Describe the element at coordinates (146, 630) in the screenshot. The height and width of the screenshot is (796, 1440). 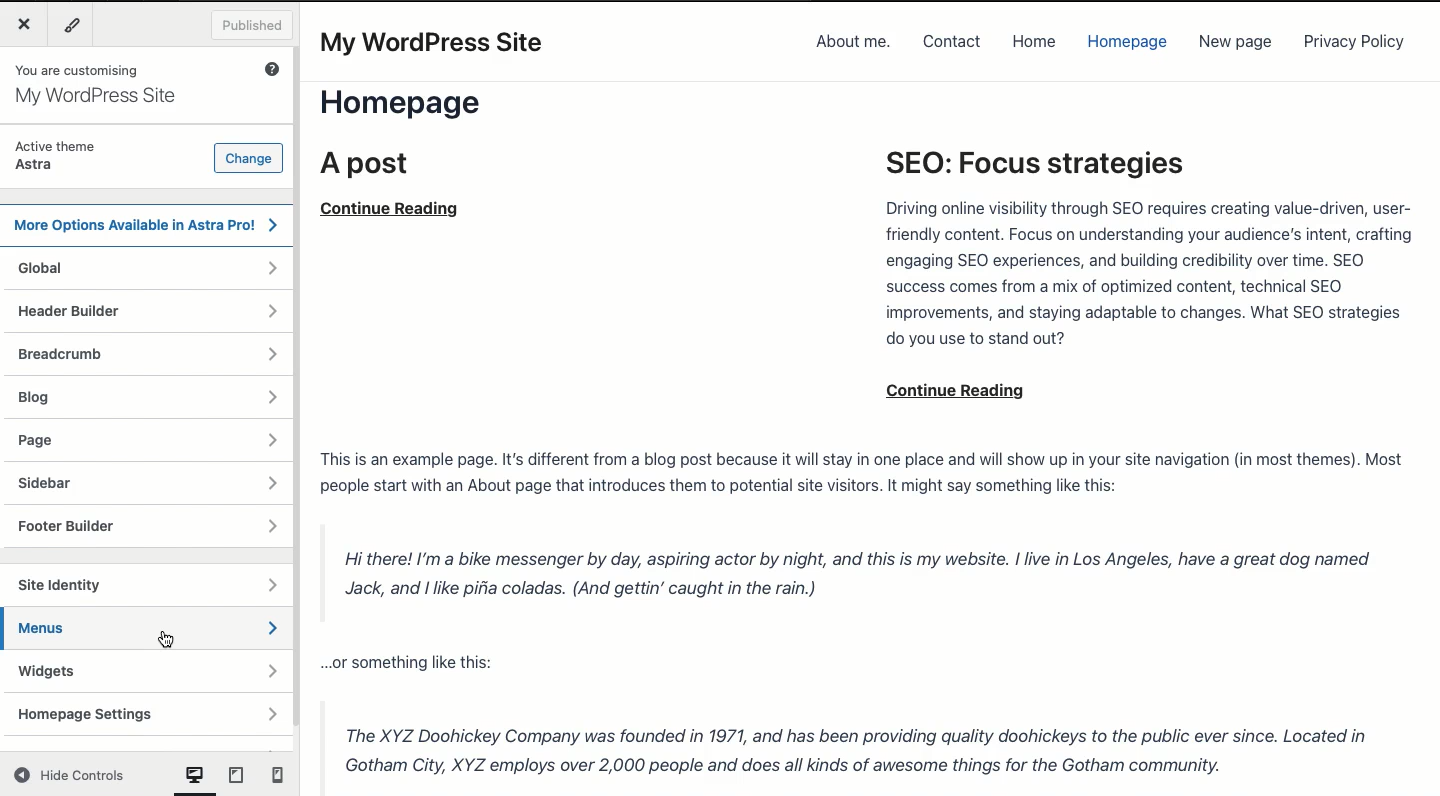
I see `Menus` at that location.